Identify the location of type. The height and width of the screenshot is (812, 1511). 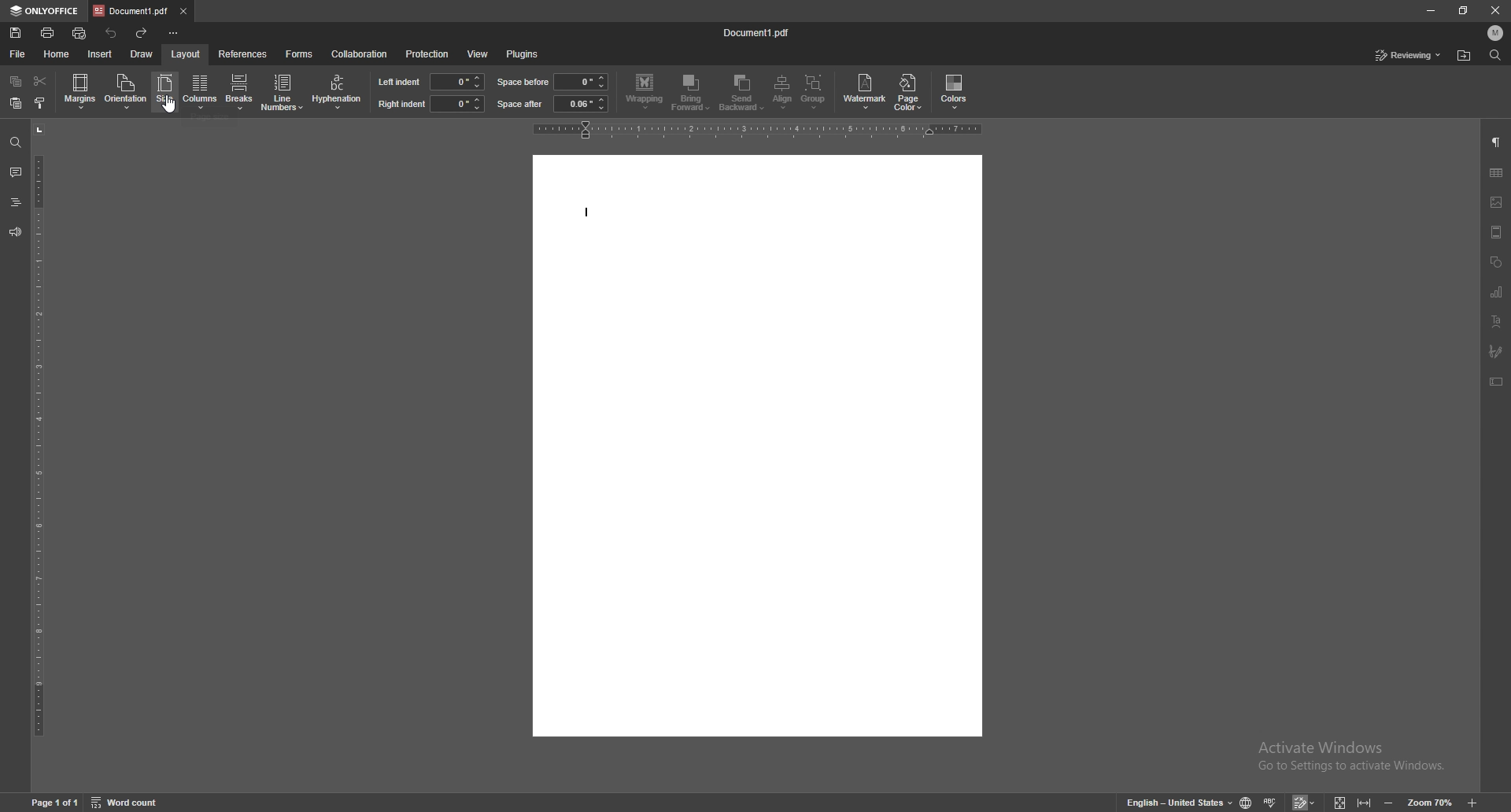
(590, 212).